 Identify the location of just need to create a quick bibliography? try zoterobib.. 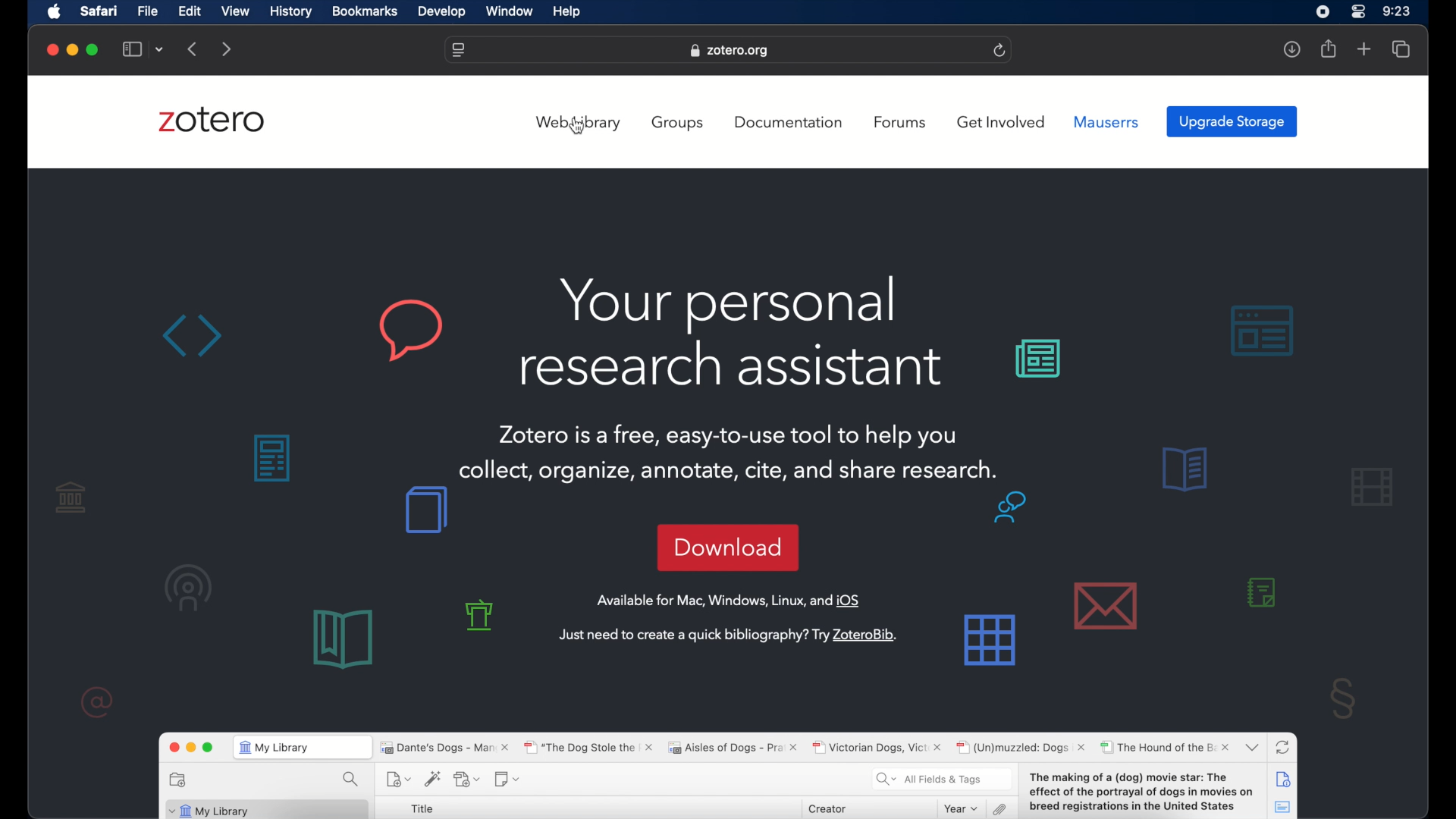
(728, 635).